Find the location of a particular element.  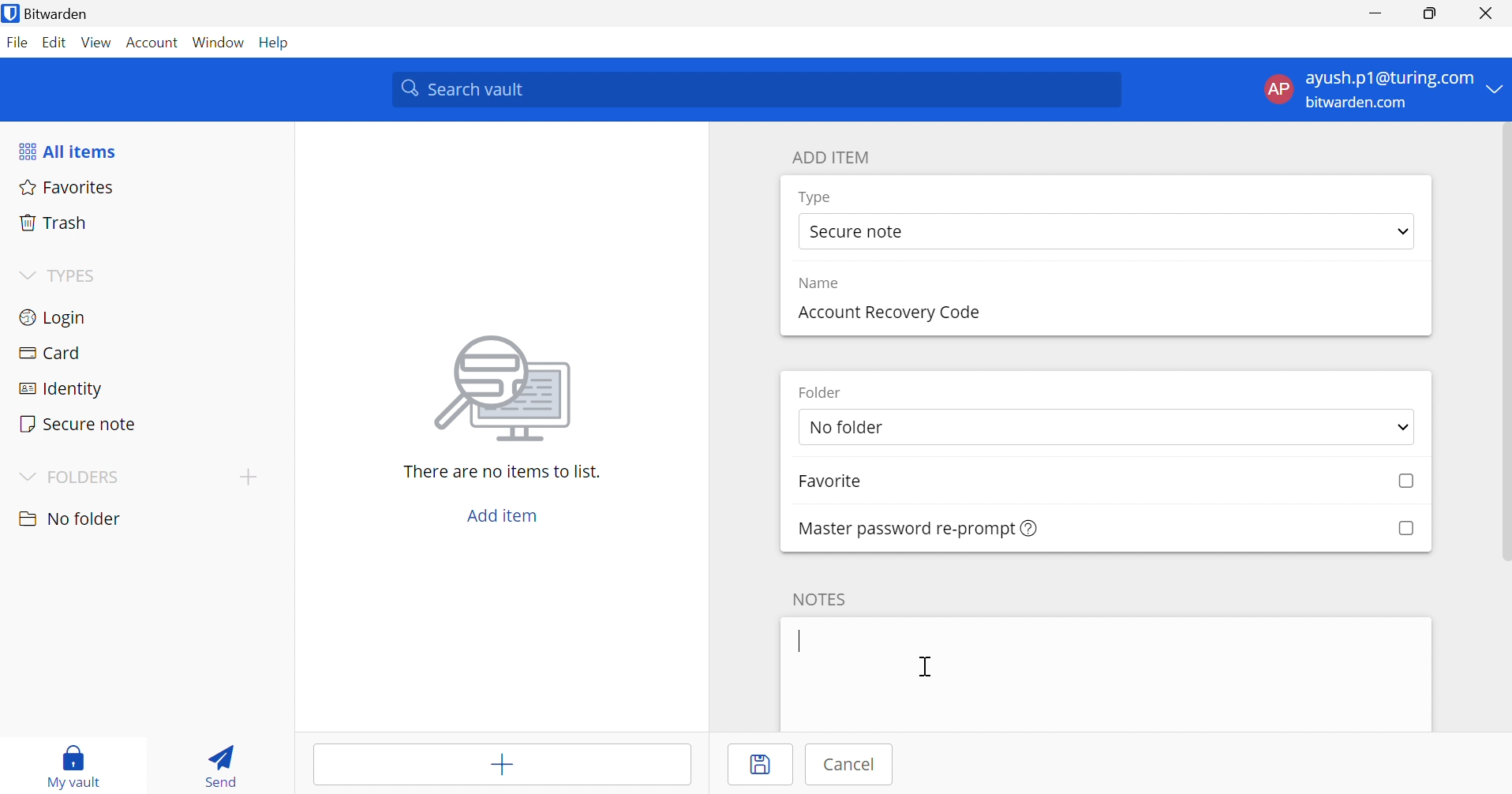

Trash is located at coordinates (54, 223).